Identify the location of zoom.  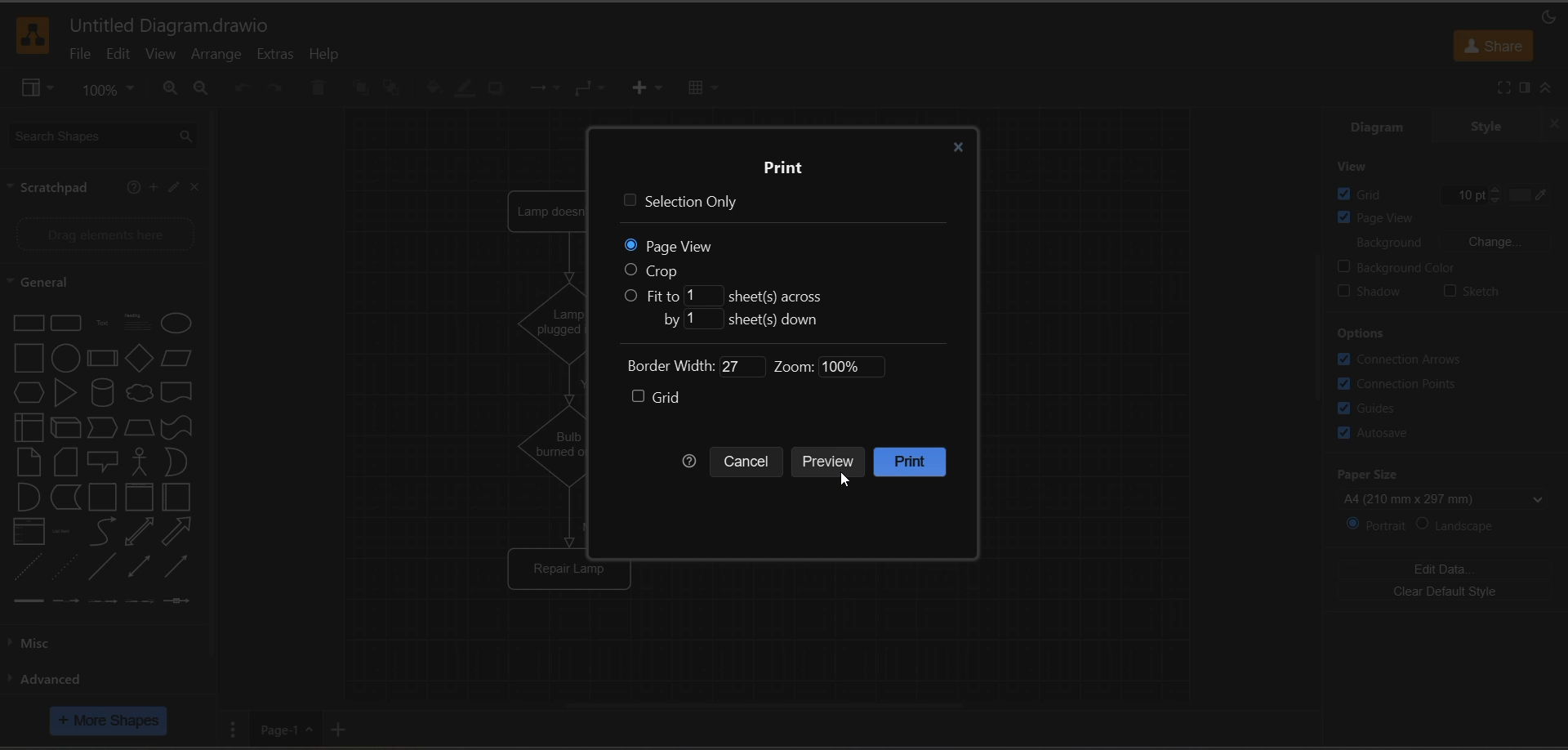
(113, 89).